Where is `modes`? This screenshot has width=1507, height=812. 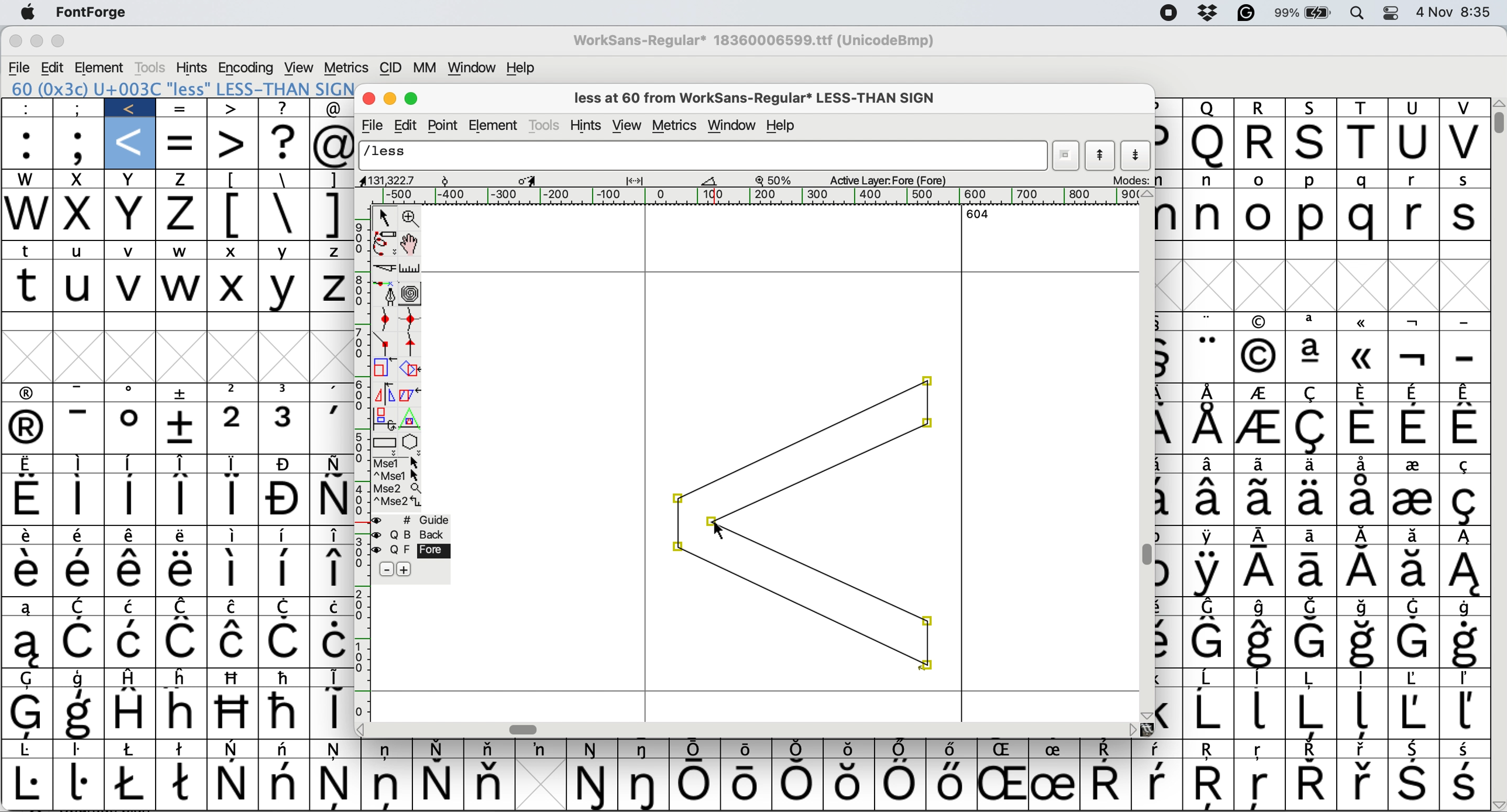 modes is located at coordinates (1132, 180).